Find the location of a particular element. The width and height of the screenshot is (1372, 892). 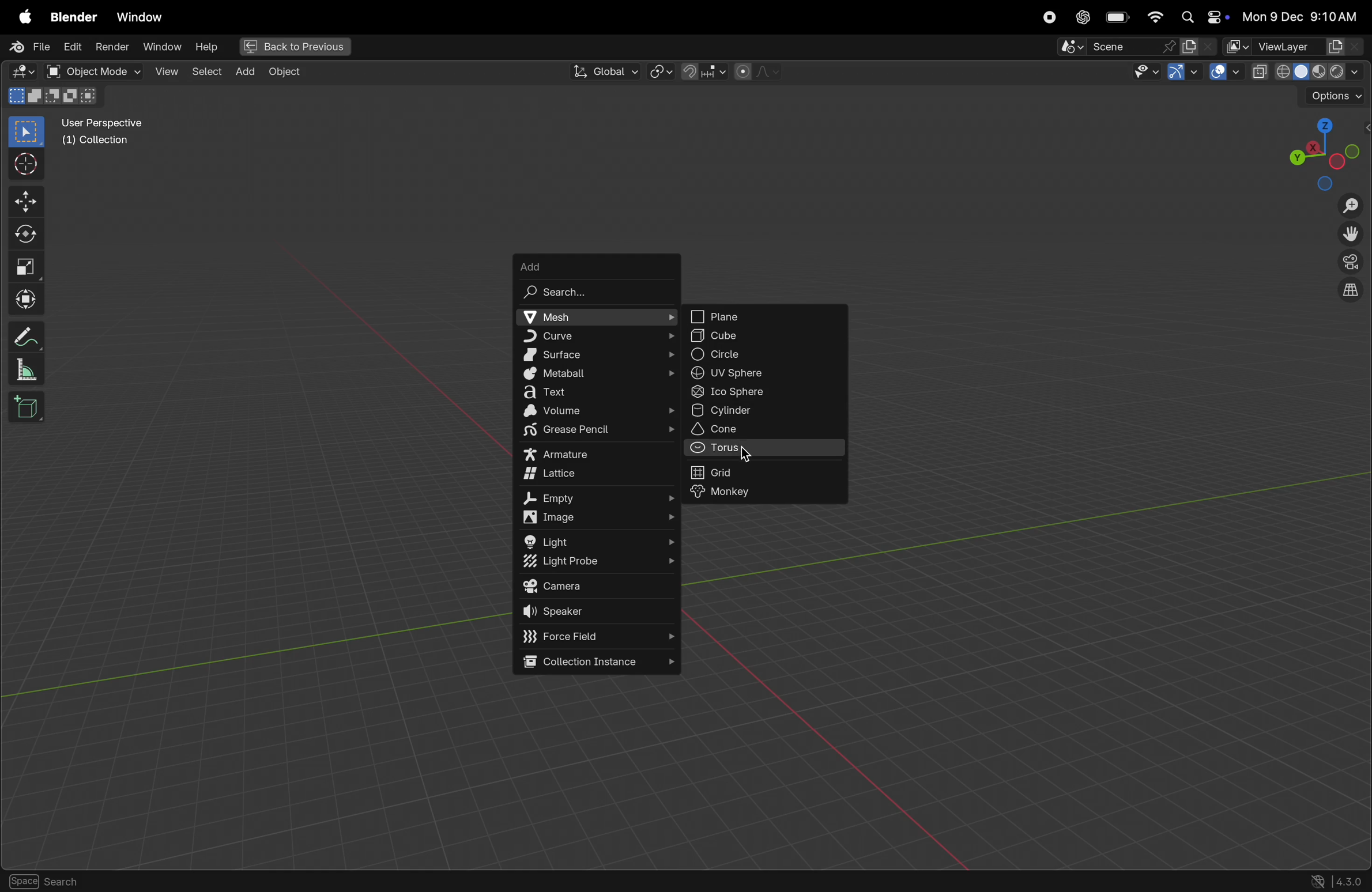

camera is located at coordinates (597, 587).